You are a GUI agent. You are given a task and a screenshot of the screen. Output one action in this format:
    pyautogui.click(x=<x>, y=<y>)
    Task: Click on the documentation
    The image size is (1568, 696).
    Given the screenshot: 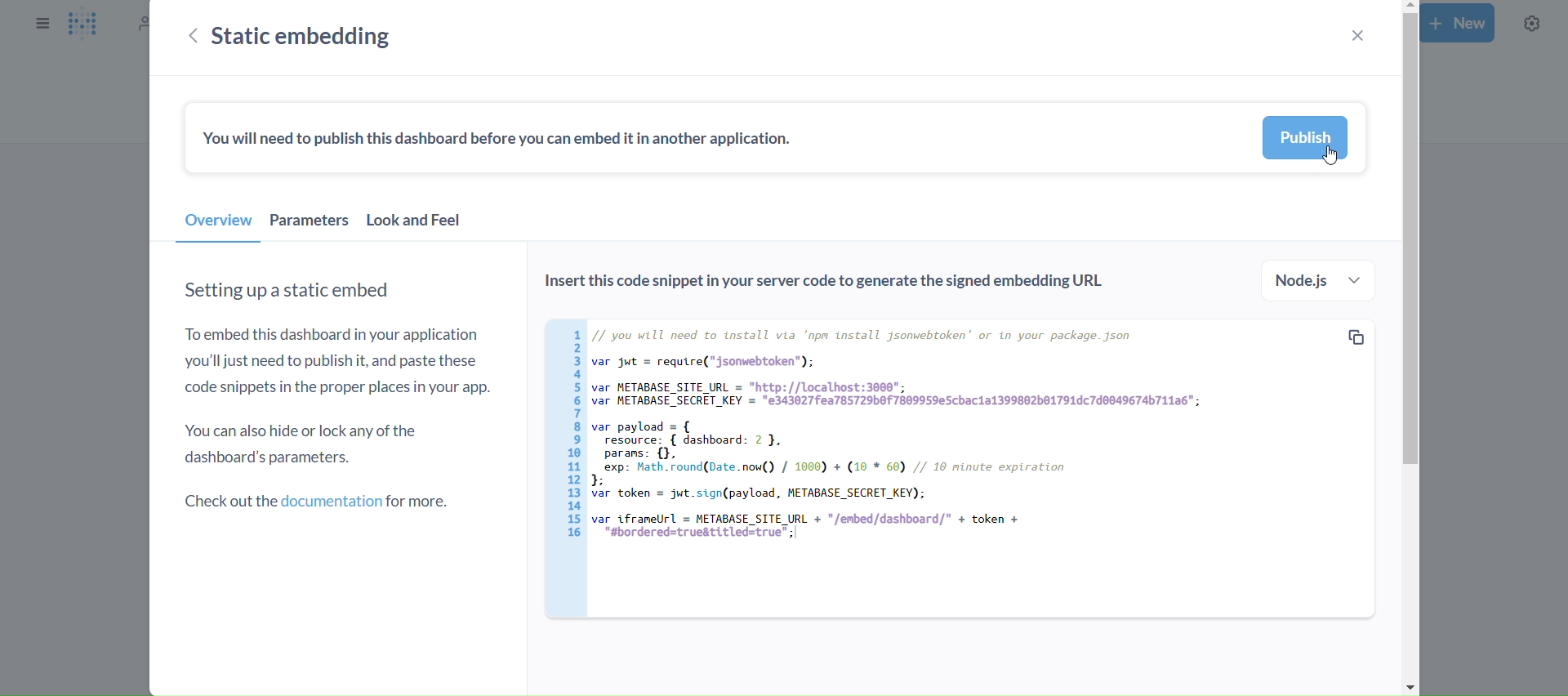 What is the action you would take?
    pyautogui.click(x=320, y=503)
    